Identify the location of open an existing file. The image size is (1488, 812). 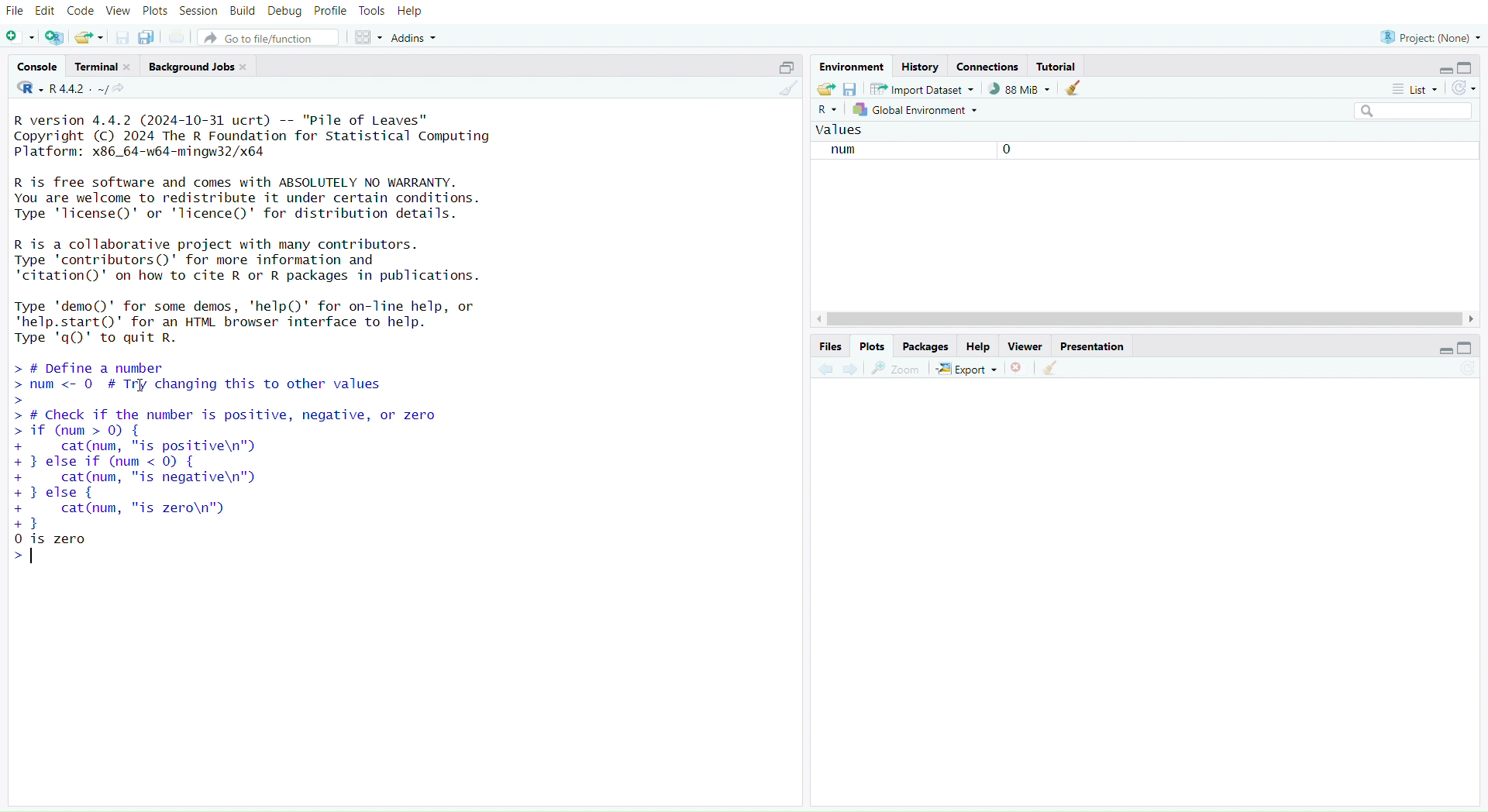
(90, 38).